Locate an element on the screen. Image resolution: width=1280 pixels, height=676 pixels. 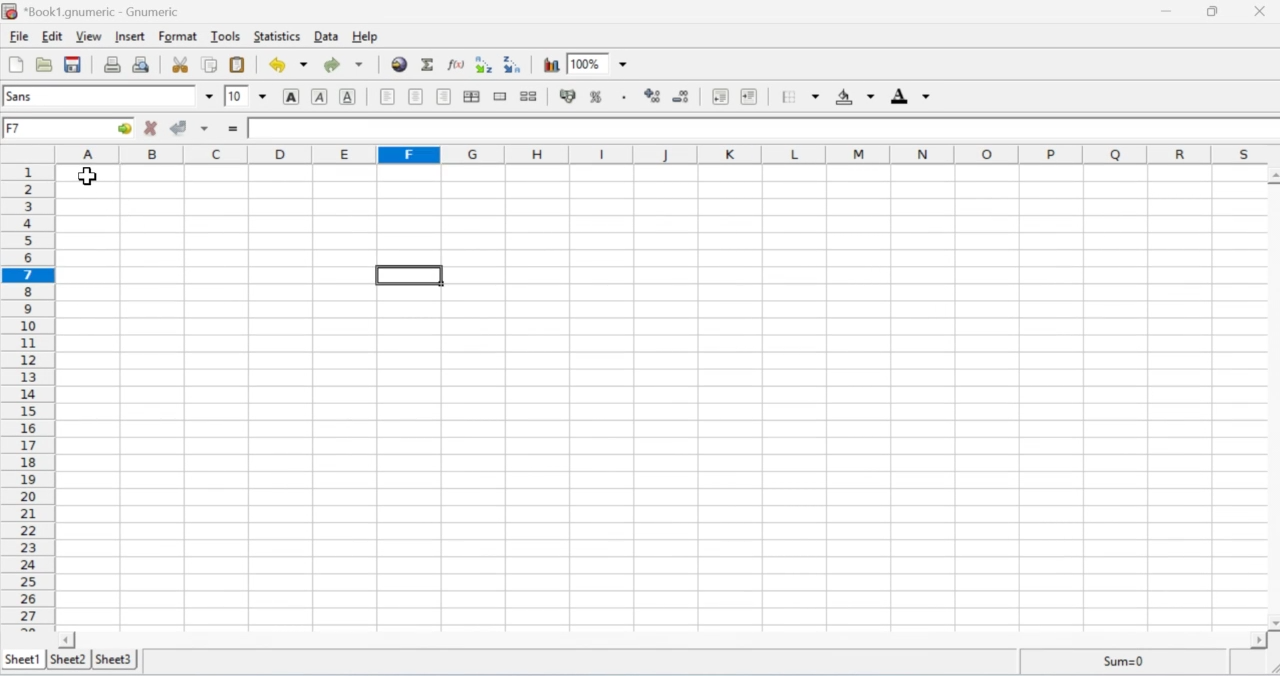
Background is located at coordinates (852, 99).